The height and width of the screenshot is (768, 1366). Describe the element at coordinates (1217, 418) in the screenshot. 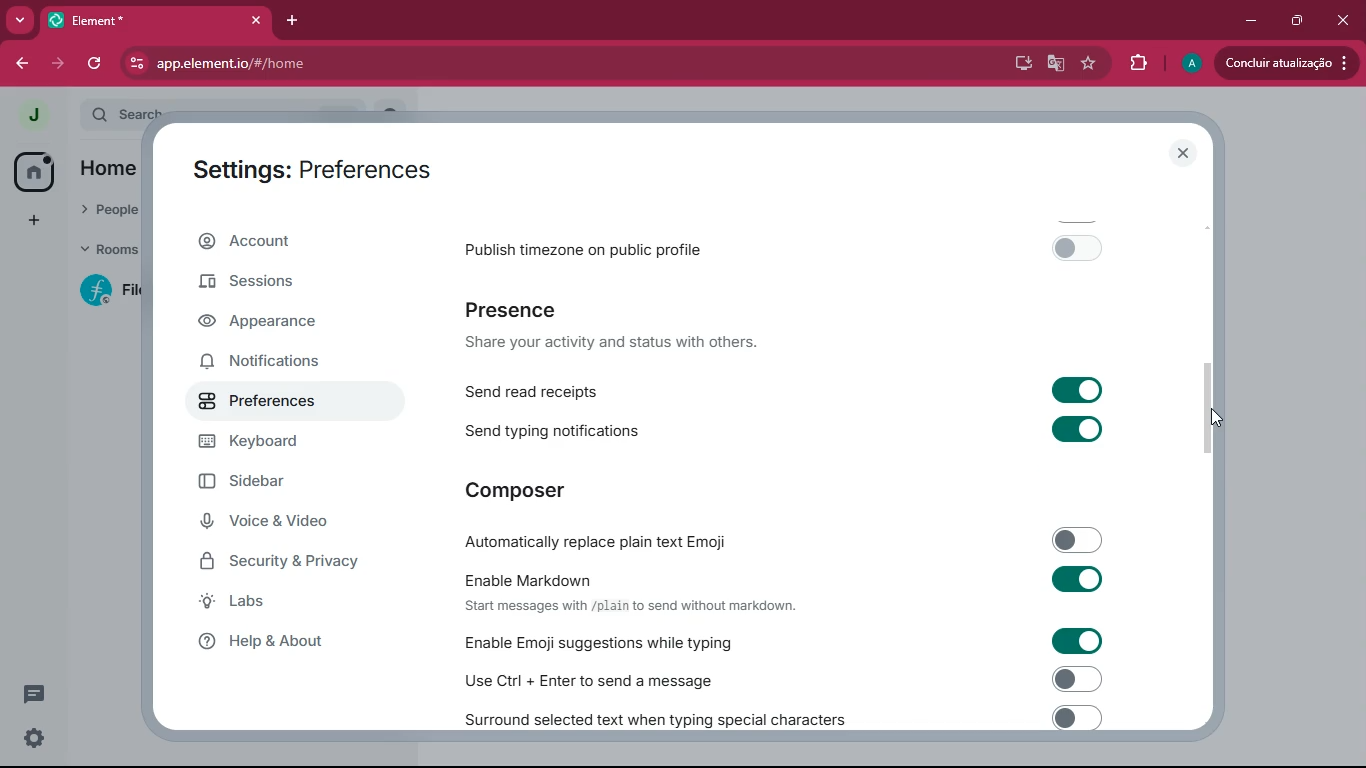

I see `cursor` at that location.